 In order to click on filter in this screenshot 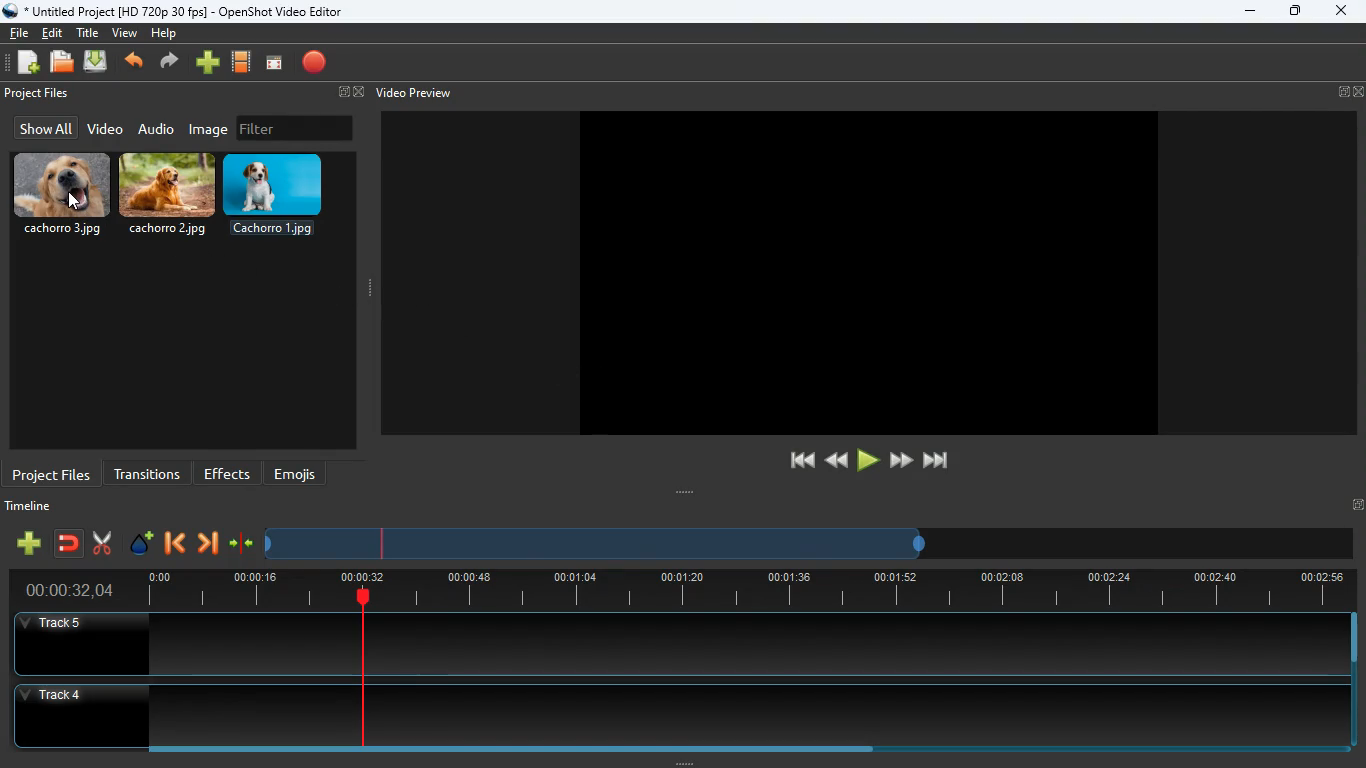, I will do `click(295, 128)`.